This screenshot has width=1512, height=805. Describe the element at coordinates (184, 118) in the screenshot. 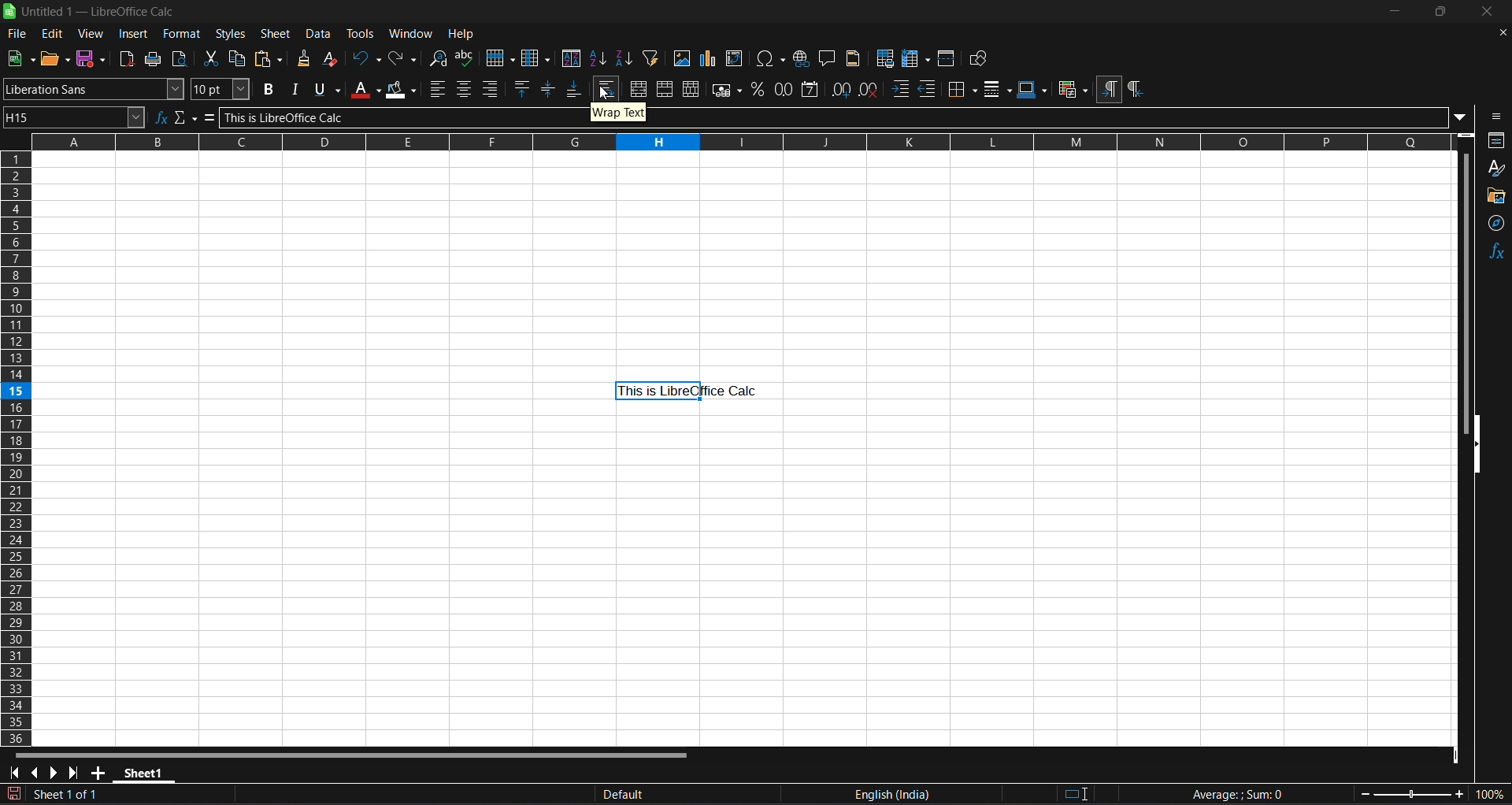

I see `select function` at that location.